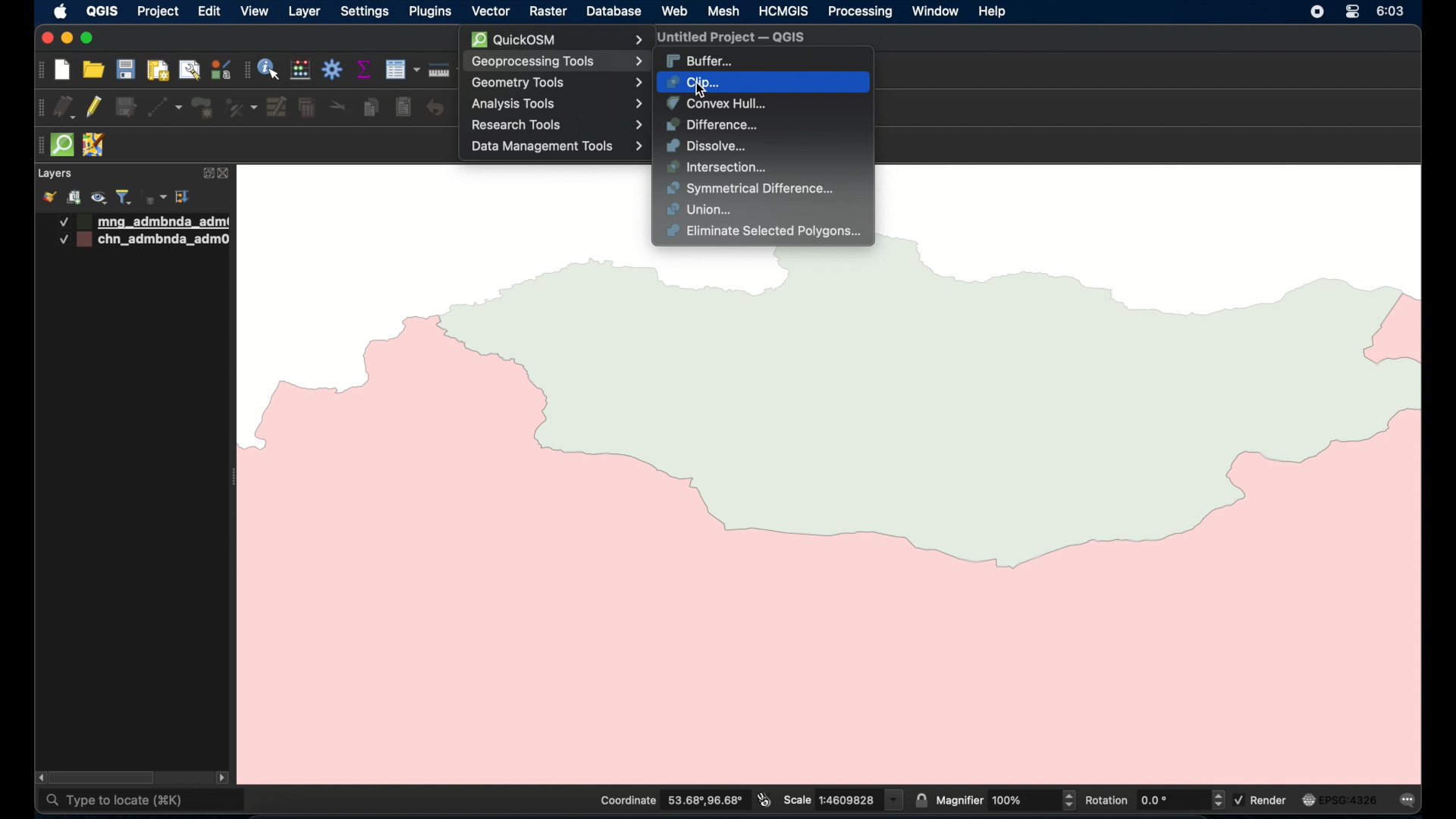  What do you see at coordinates (491, 12) in the screenshot?
I see `vector` at bounding box center [491, 12].